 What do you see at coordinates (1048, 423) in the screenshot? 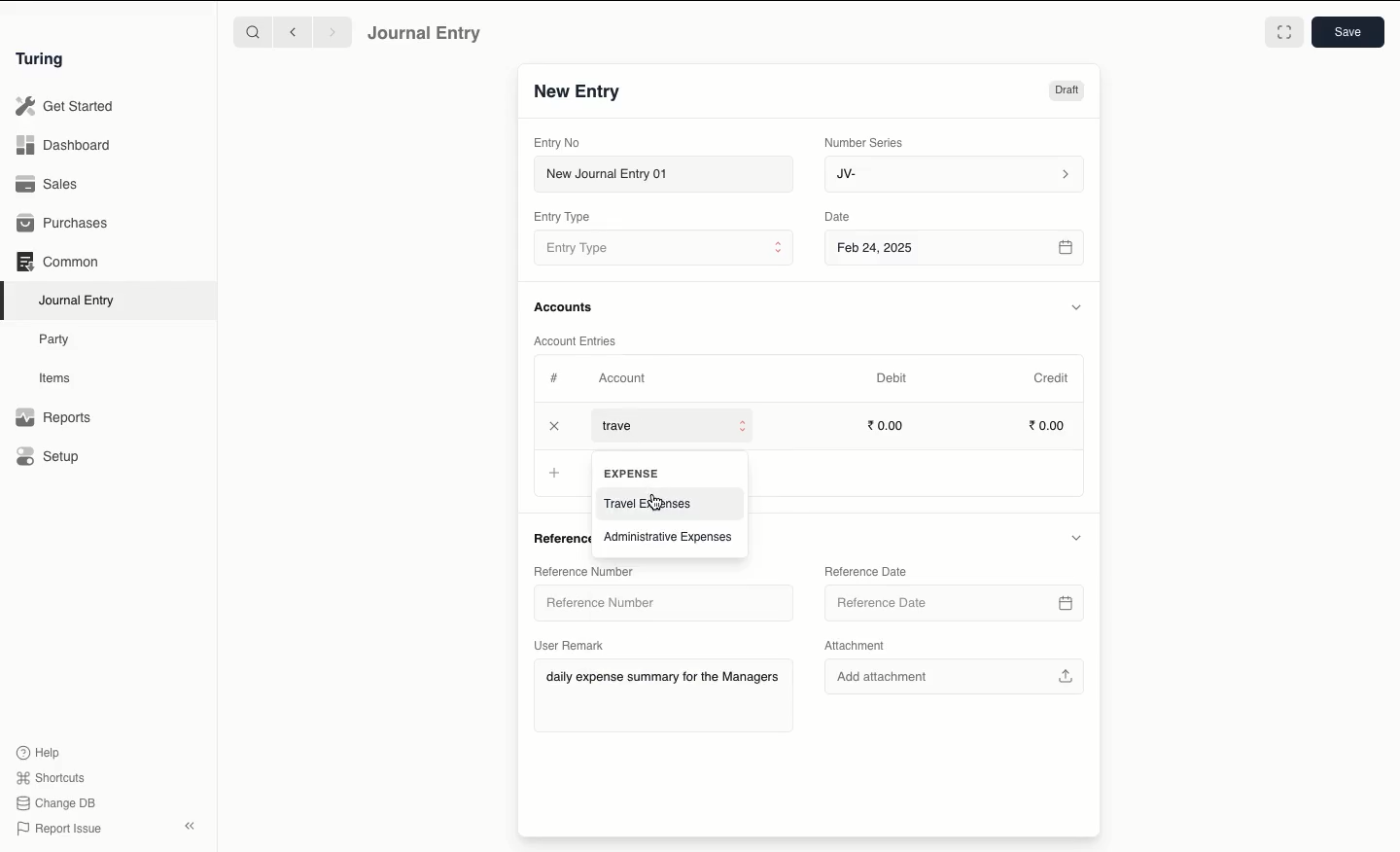
I see `0.00` at bounding box center [1048, 423].